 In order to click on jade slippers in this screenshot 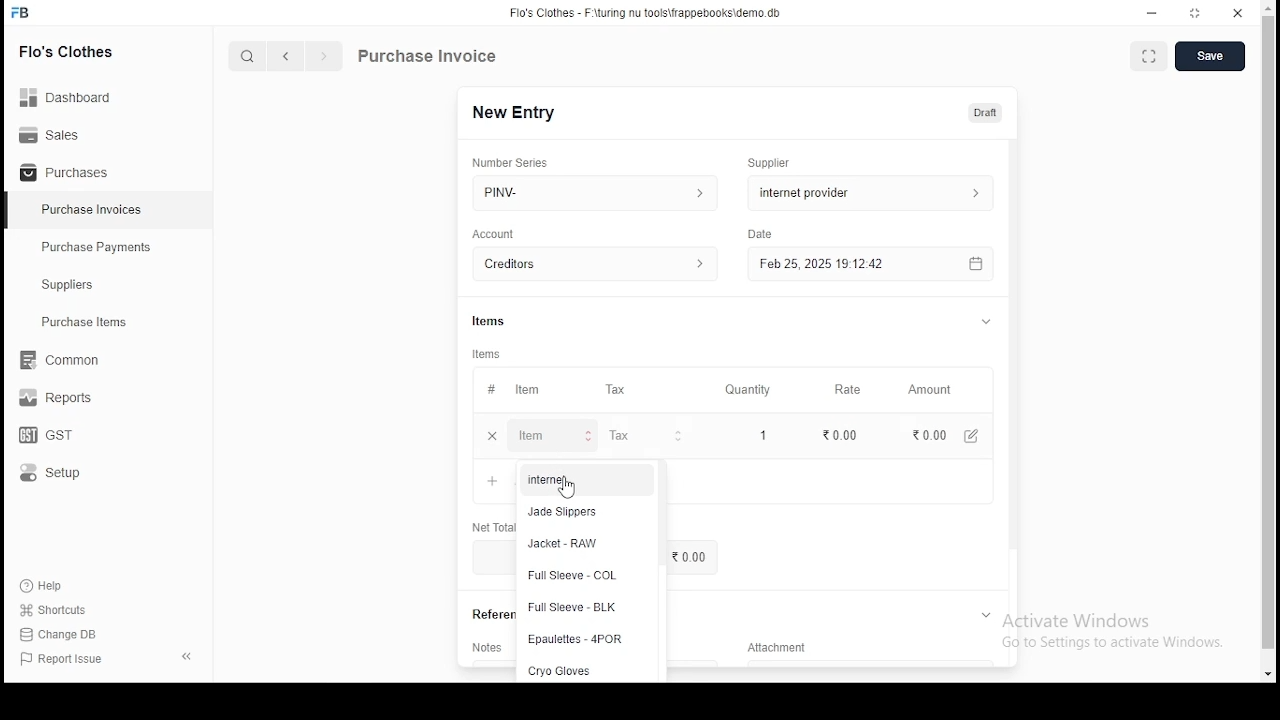, I will do `click(574, 513)`.